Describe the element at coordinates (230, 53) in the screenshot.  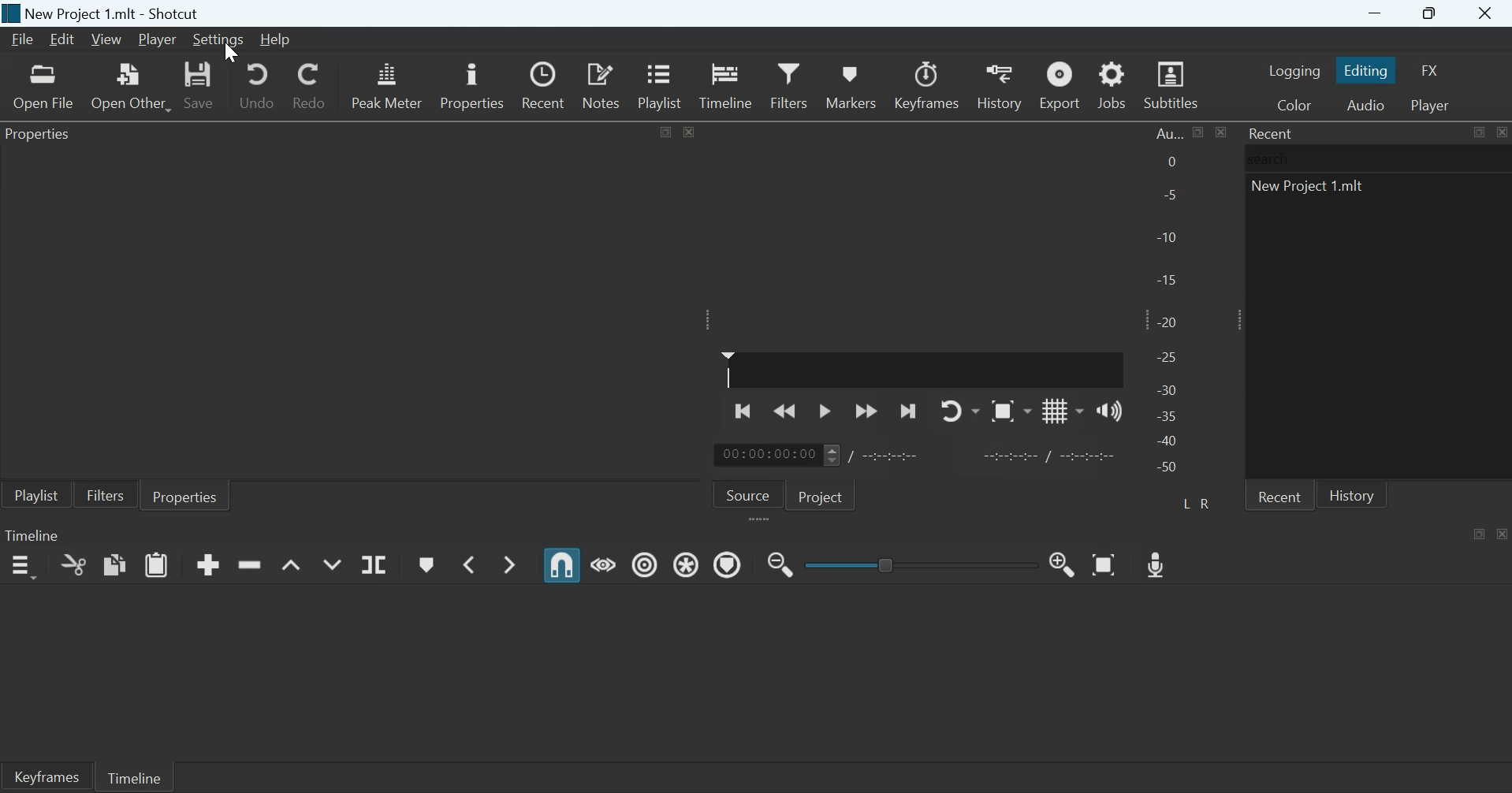
I see `Cursor` at that location.